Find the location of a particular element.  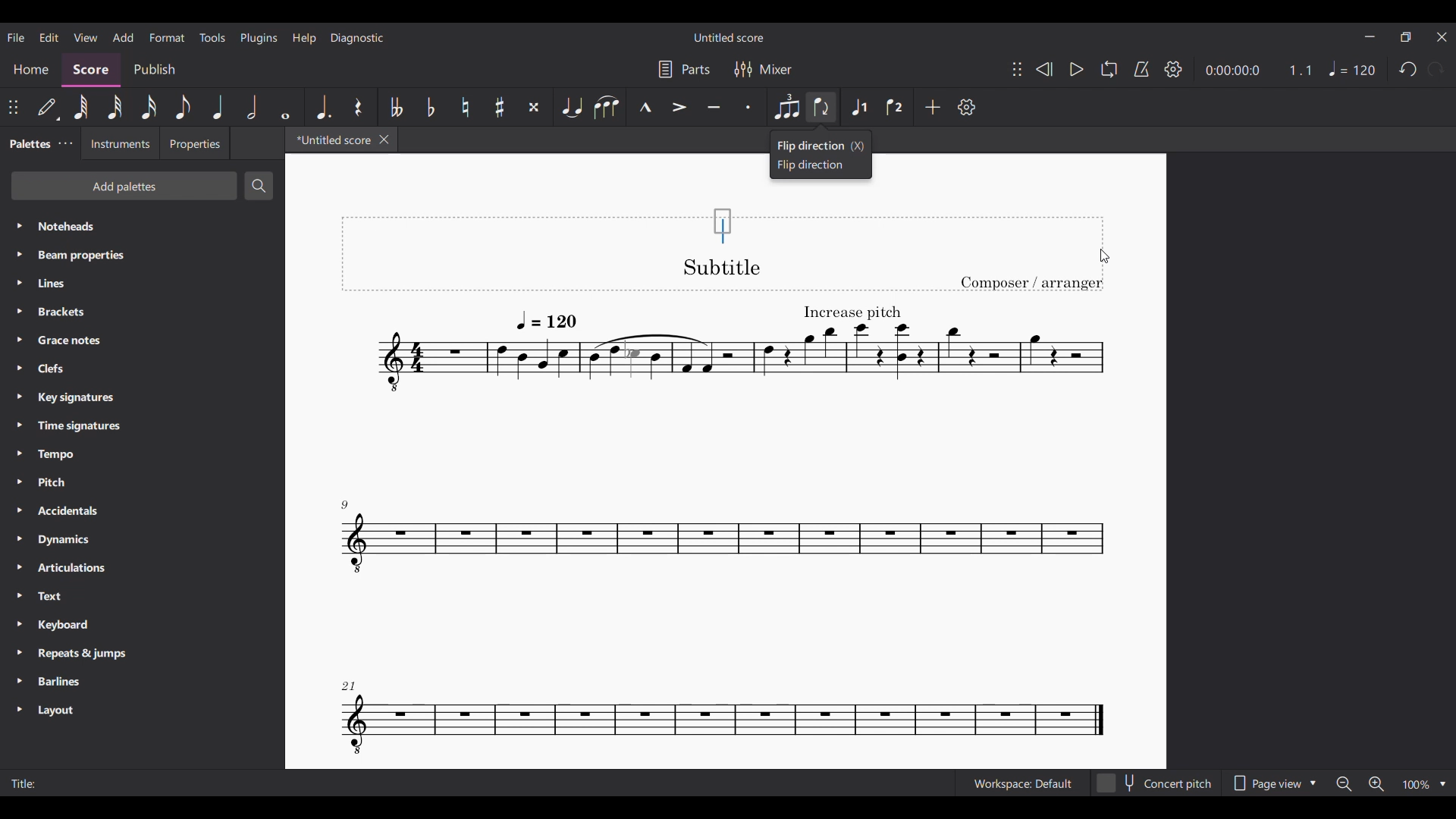

Accent is located at coordinates (679, 107).